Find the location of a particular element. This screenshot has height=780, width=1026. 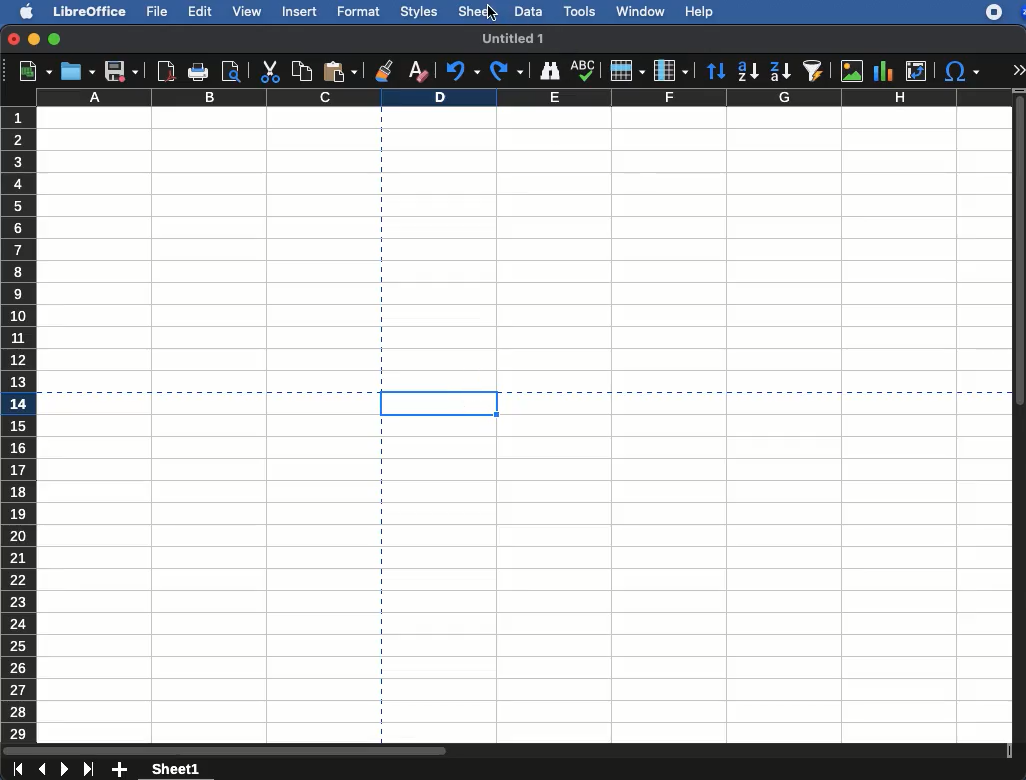

clear formatting is located at coordinates (417, 68).